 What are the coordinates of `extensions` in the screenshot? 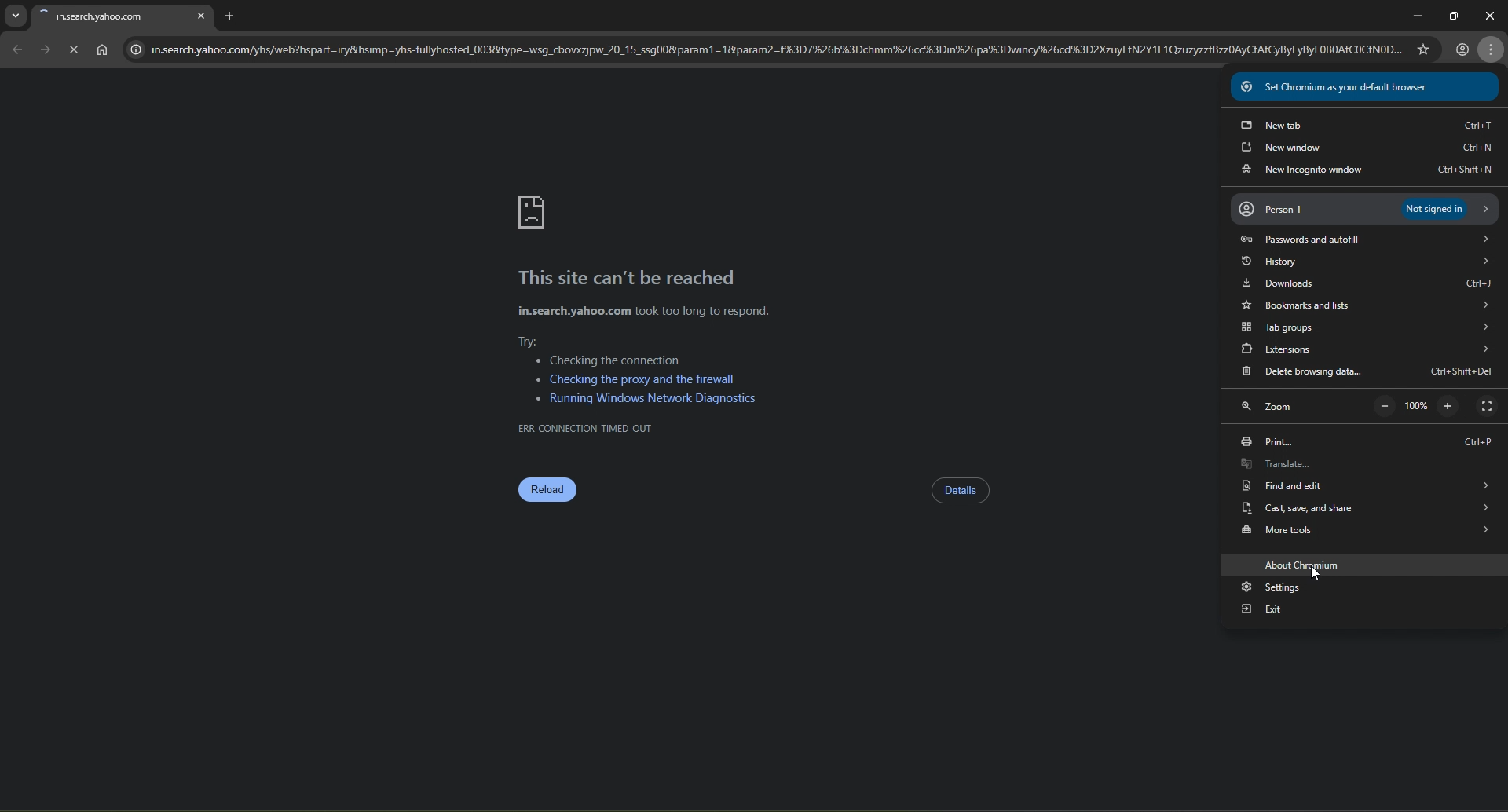 It's located at (1364, 350).